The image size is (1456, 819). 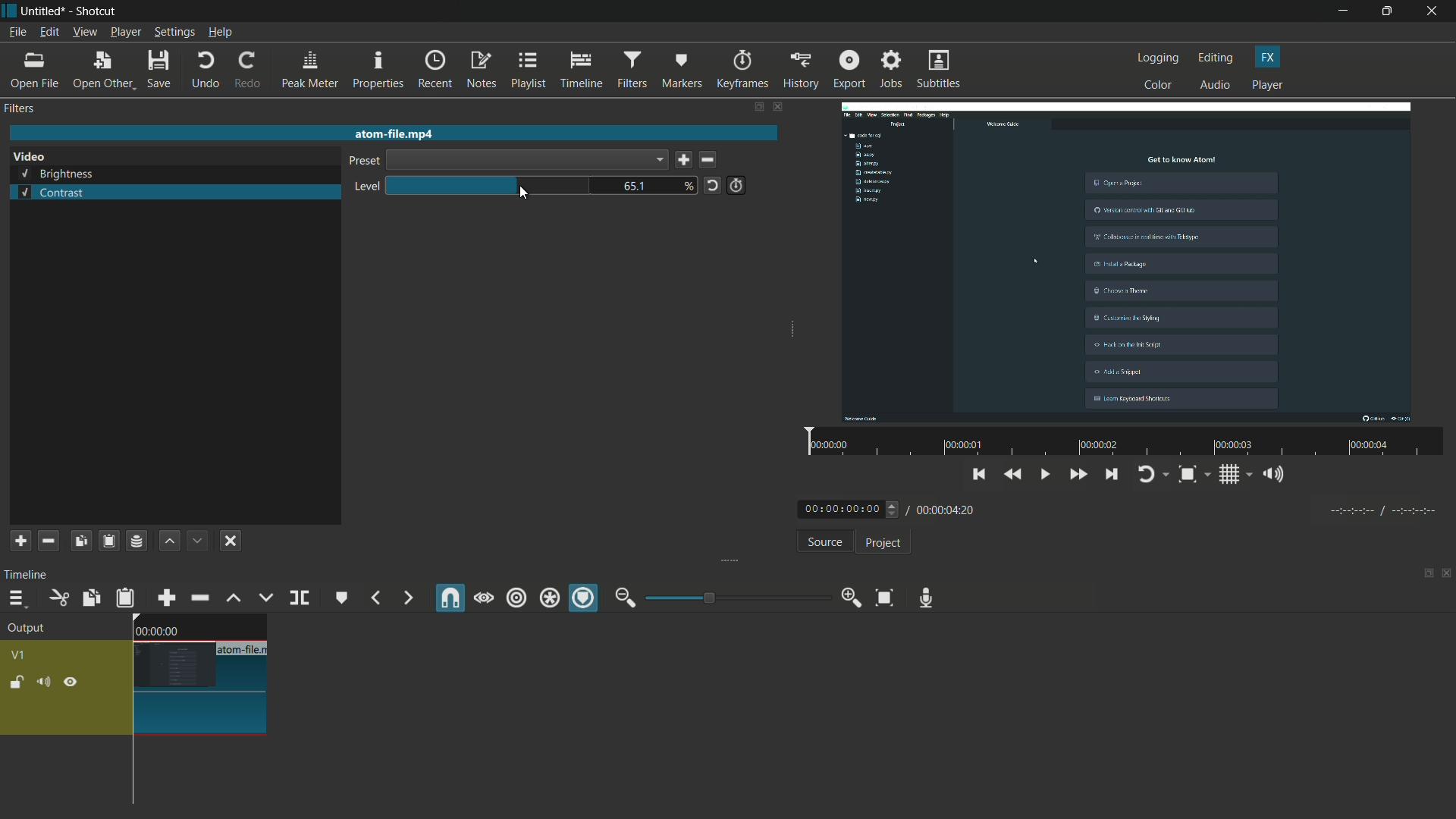 What do you see at coordinates (884, 597) in the screenshot?
I see `zoom timeline to fit` at bounding box center [884, 597].